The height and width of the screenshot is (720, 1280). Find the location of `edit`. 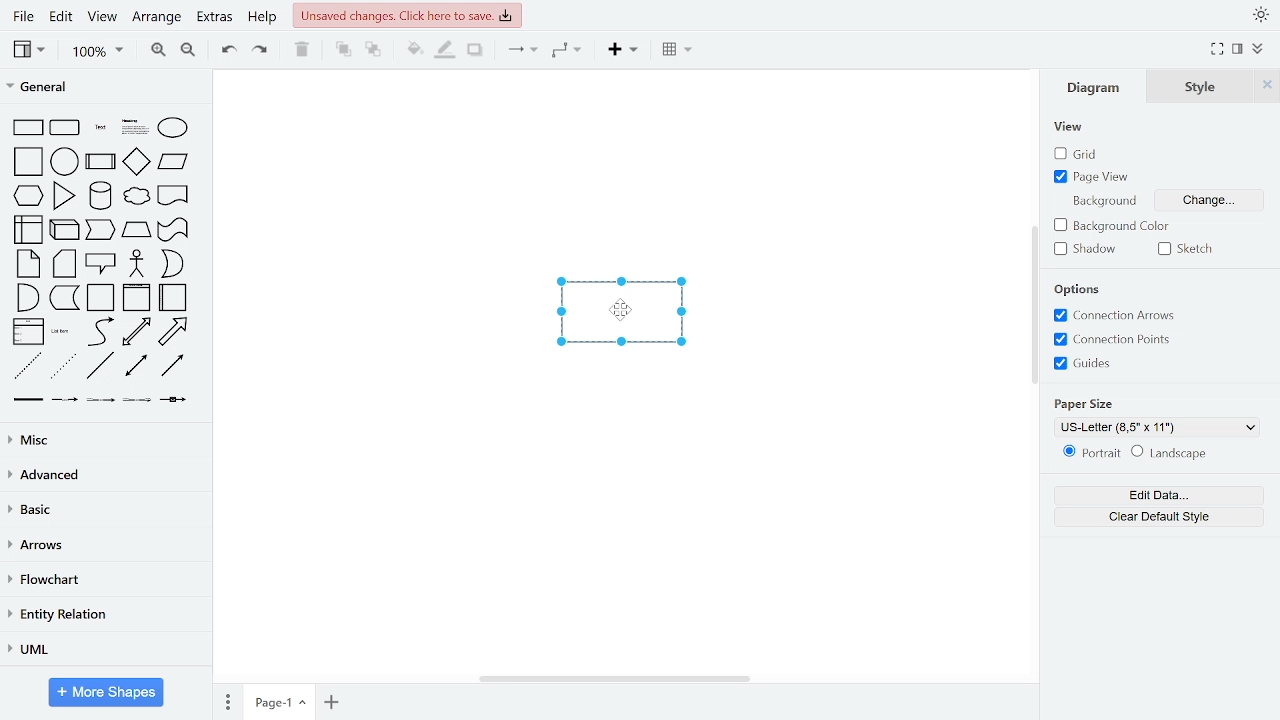

edit is located at coordinates (64, 16).